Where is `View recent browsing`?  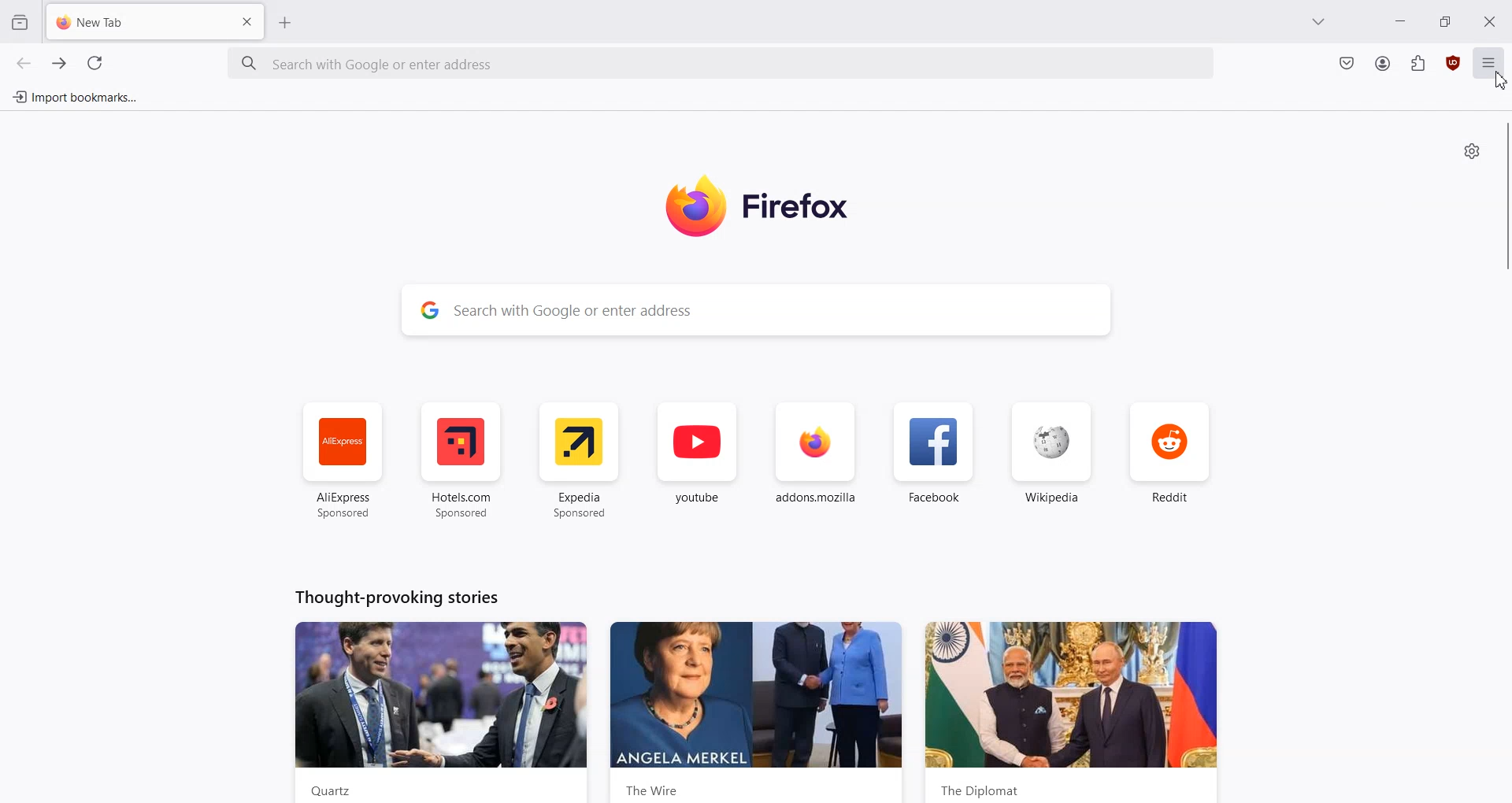
View recent browsing is located at coordinates (19, 20).